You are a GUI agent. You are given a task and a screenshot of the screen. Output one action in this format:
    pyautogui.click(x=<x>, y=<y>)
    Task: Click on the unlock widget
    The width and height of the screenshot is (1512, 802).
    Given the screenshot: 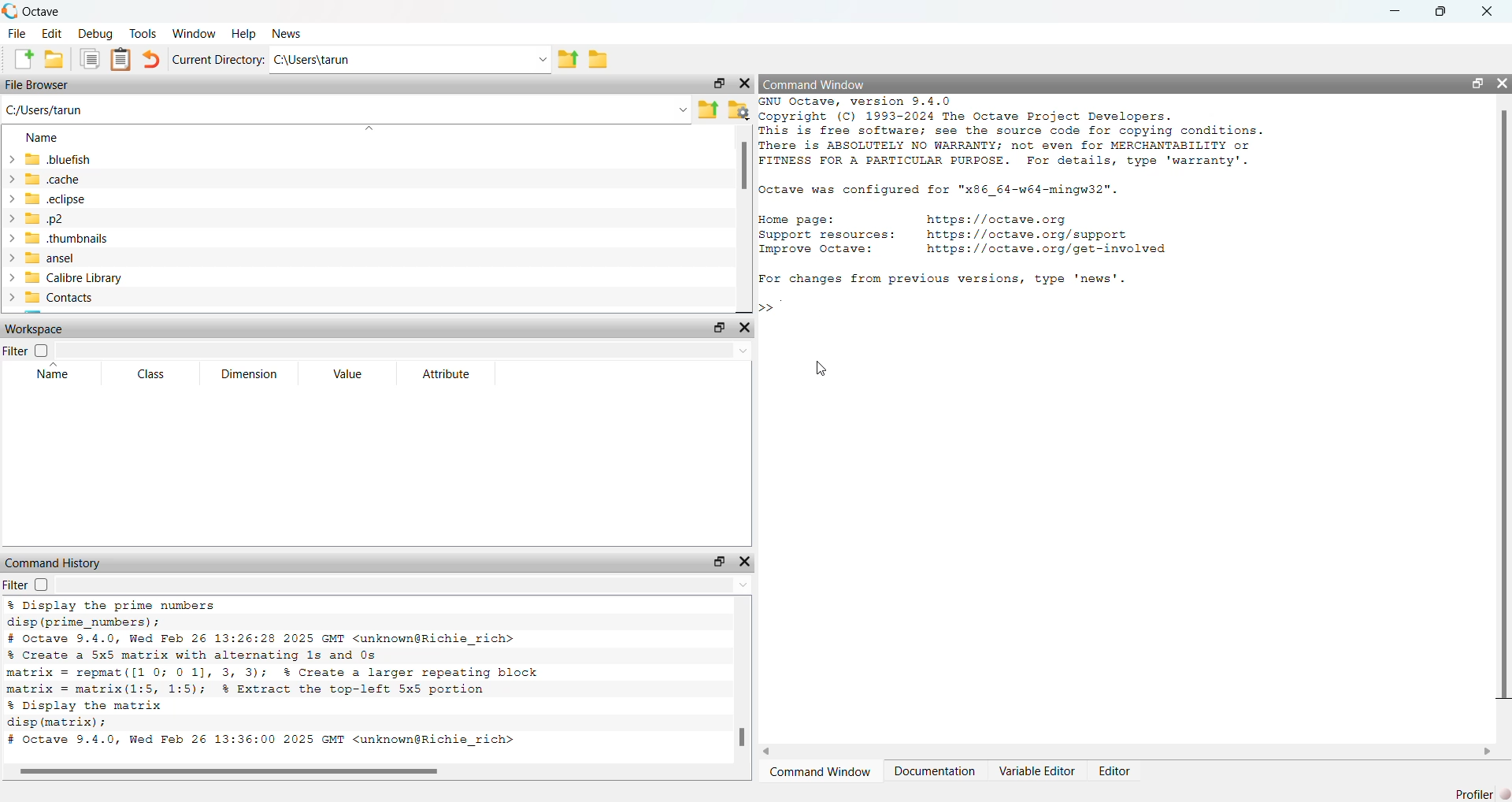 What is the action you would take?
    pyautogui.click(x=717, y=561)
    